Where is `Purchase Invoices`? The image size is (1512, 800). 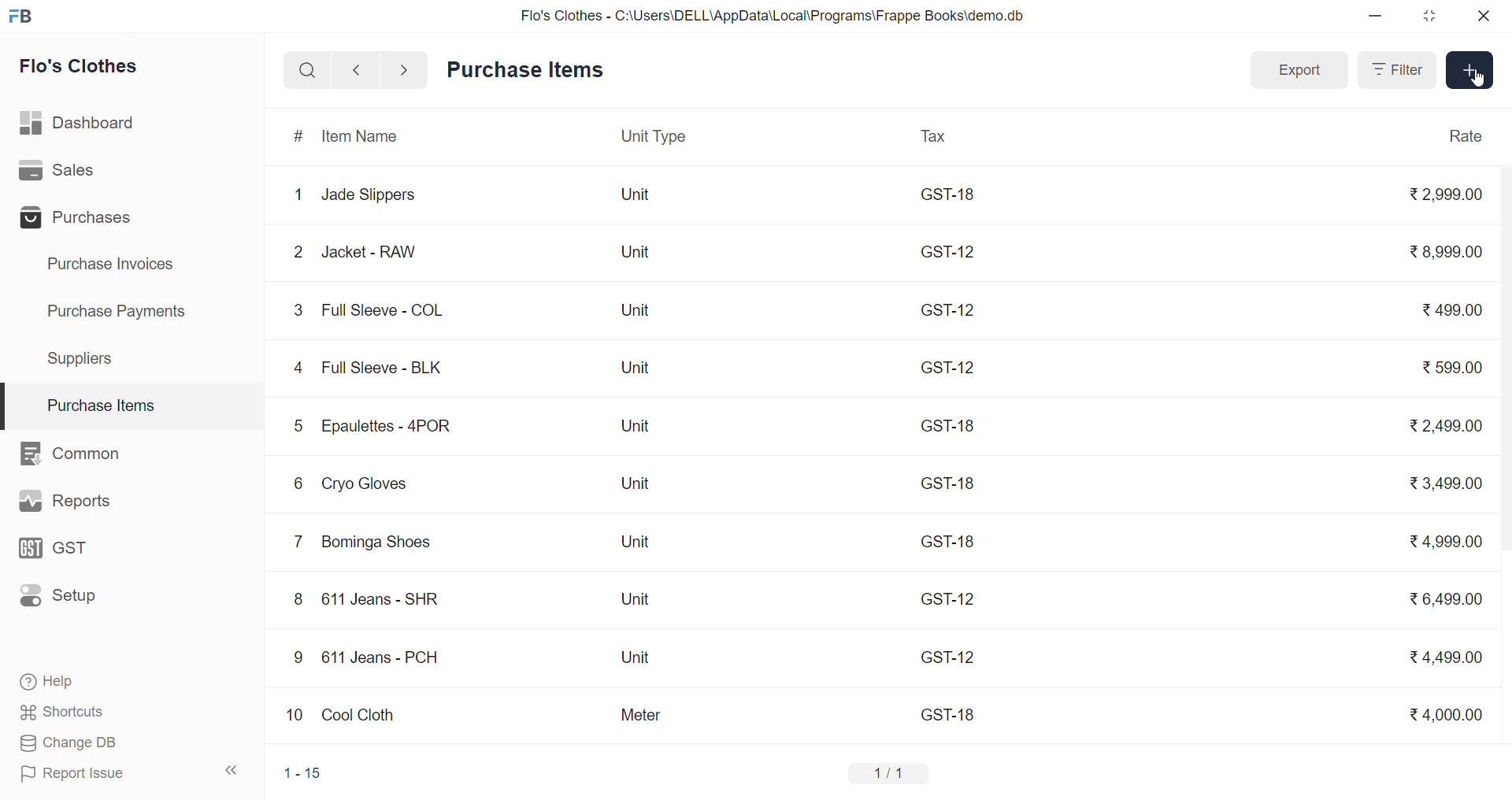
Purchase Invoices is located at coordinates (121, 265).